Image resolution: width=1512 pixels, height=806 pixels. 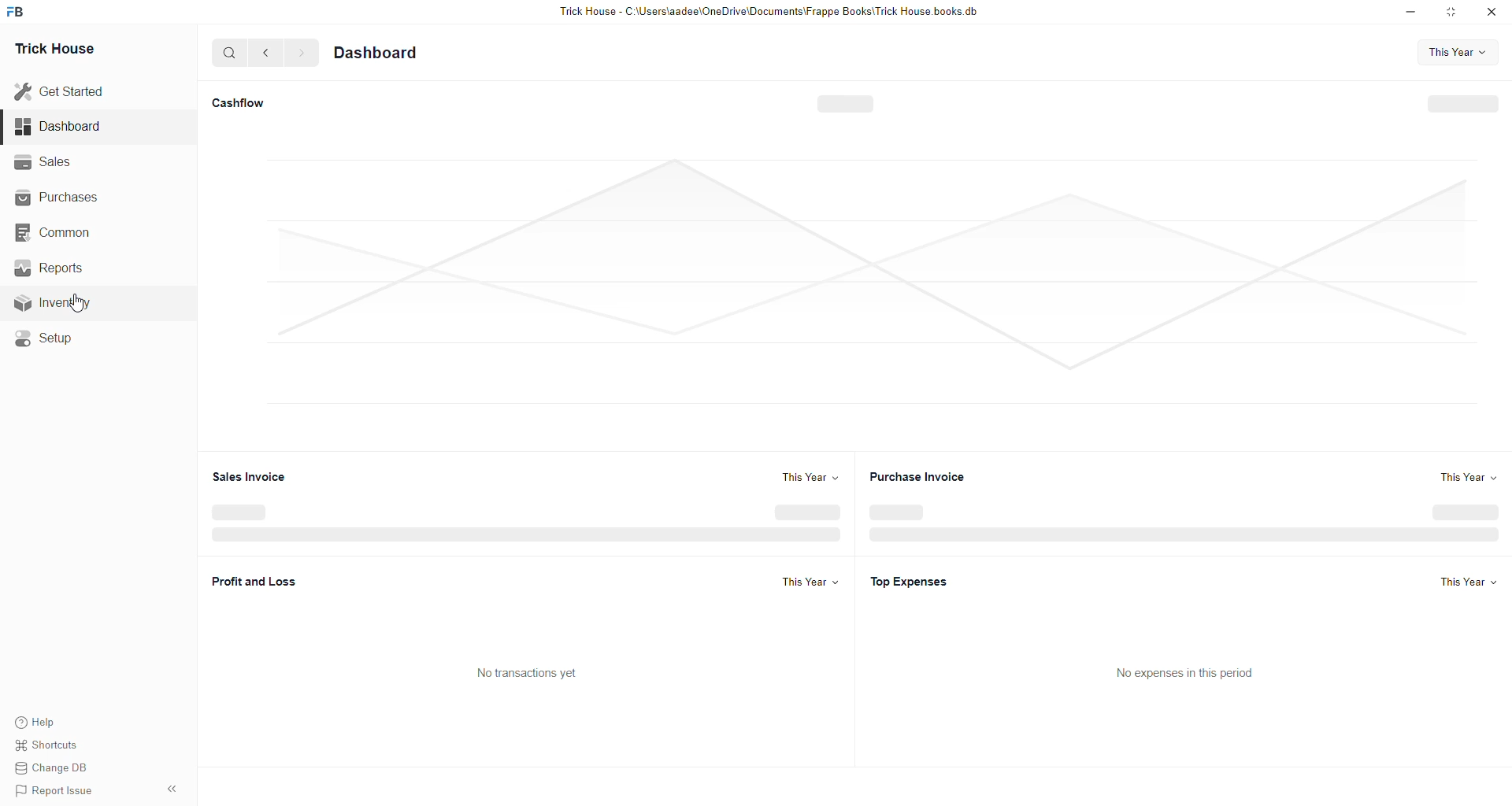 I want to click on Top Expenses, so click(x=920, y=583).